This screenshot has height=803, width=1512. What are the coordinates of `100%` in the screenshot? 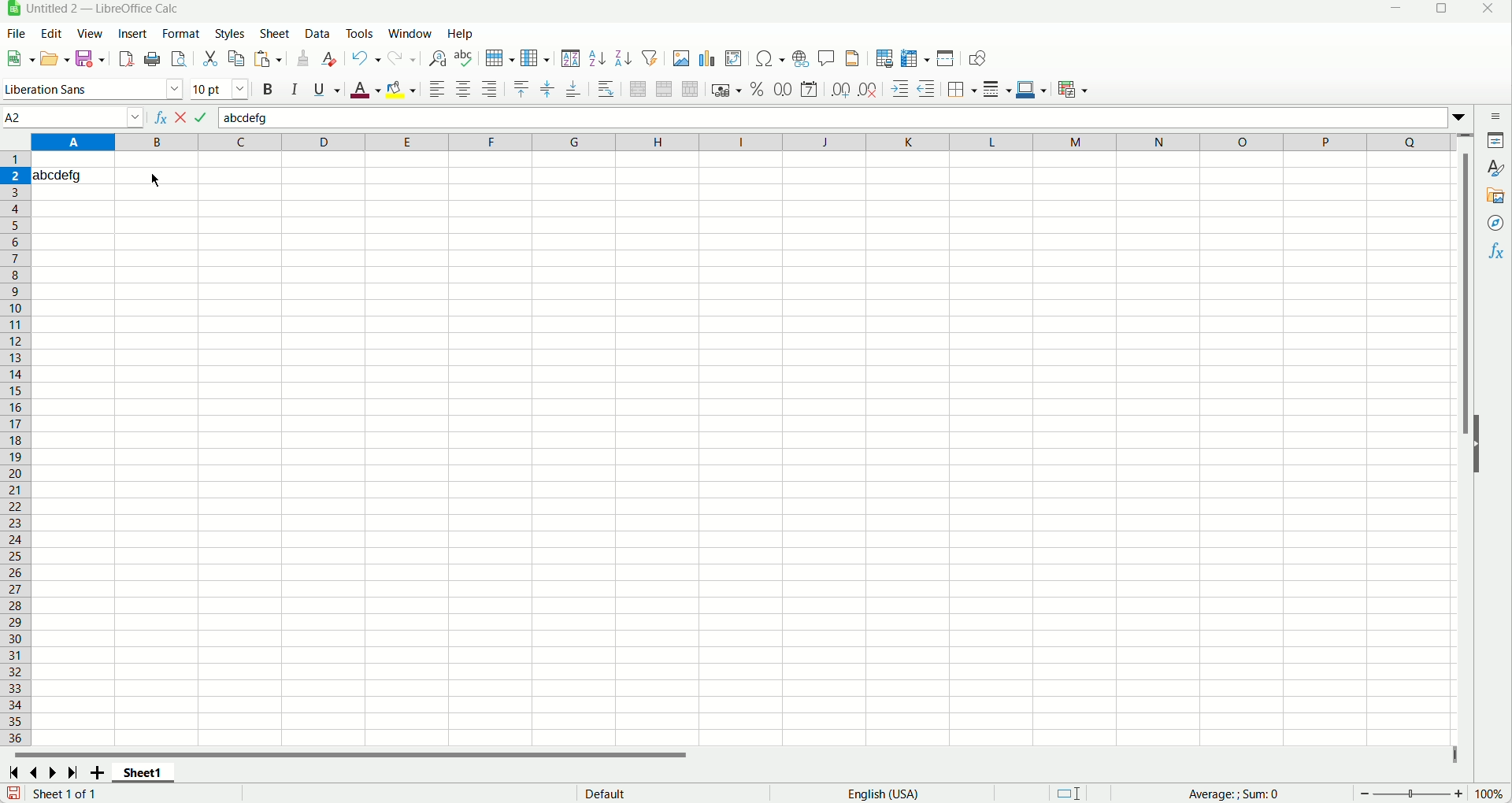 It's located at (1488, 794).